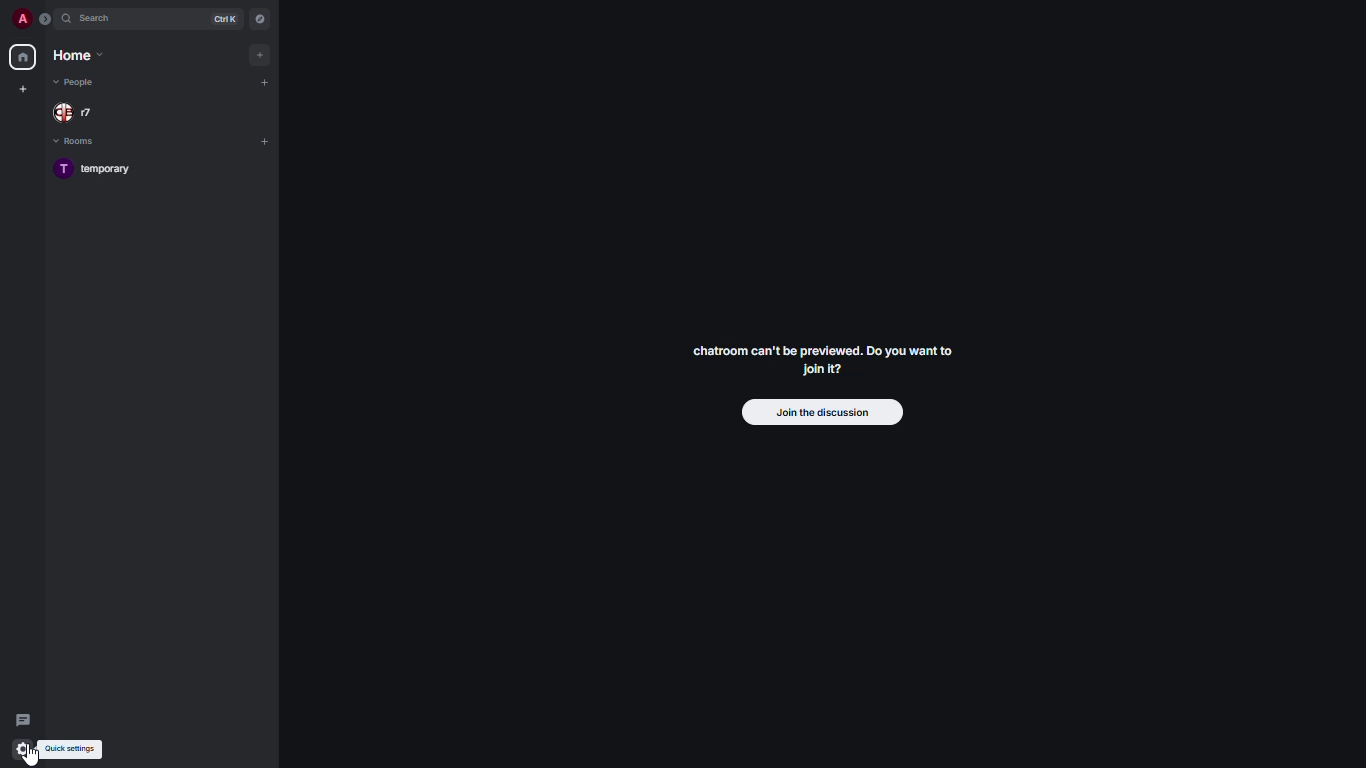 The height and width of the screenshot is (768, 1366). Describe the element at coordinates (98, 19) in the screenshot. I see `search` at that location.